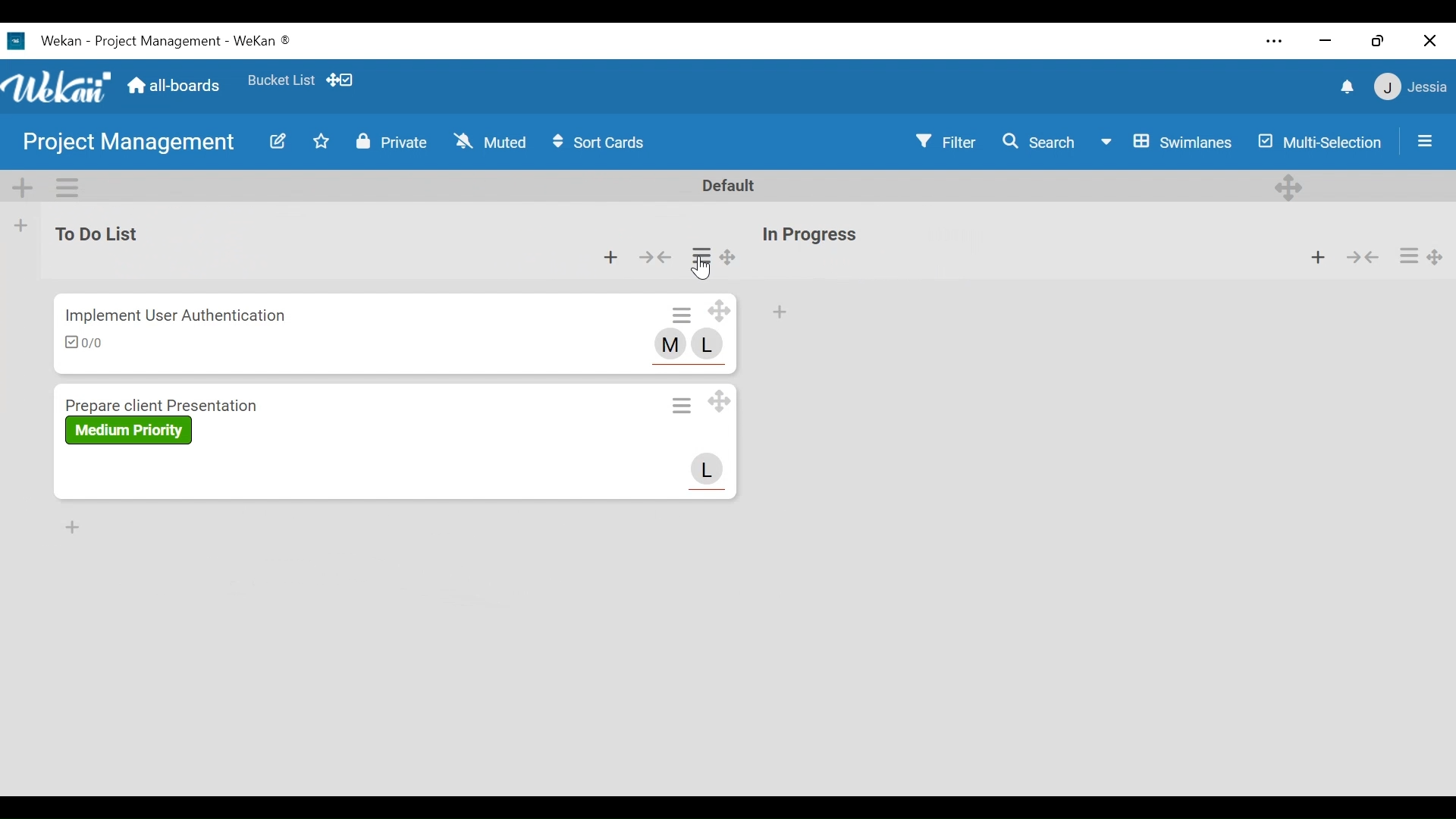 Image resolution: width=1456 pixels, height=819 pixels. What do you see at coordinates (19, 226) in the screenshot?
I see `add list` at bounding box center [19, 226].